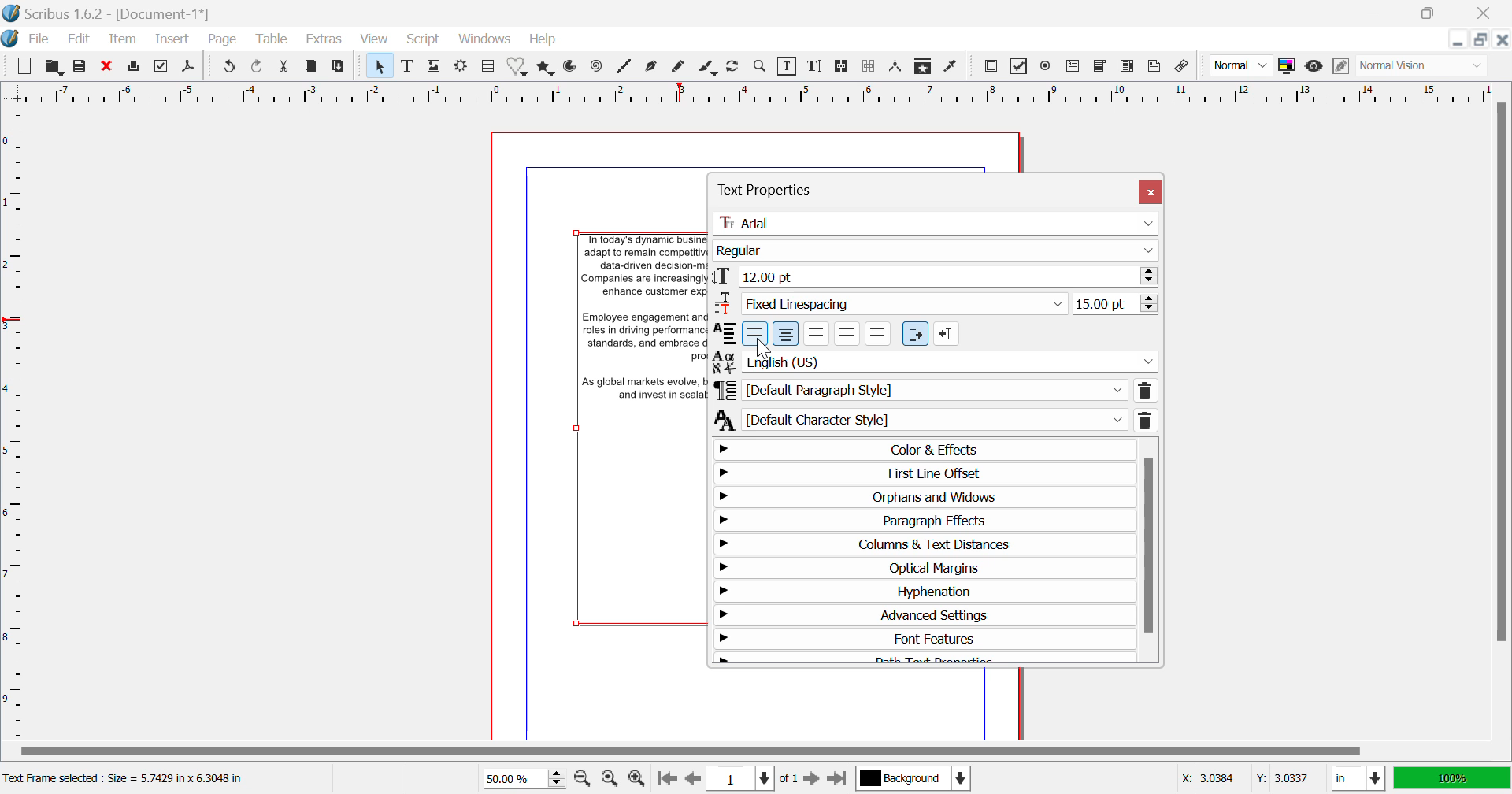  Describe the element at coordinates (1118, 304) in the screenshot. I see `Linespacing Value` at that location.